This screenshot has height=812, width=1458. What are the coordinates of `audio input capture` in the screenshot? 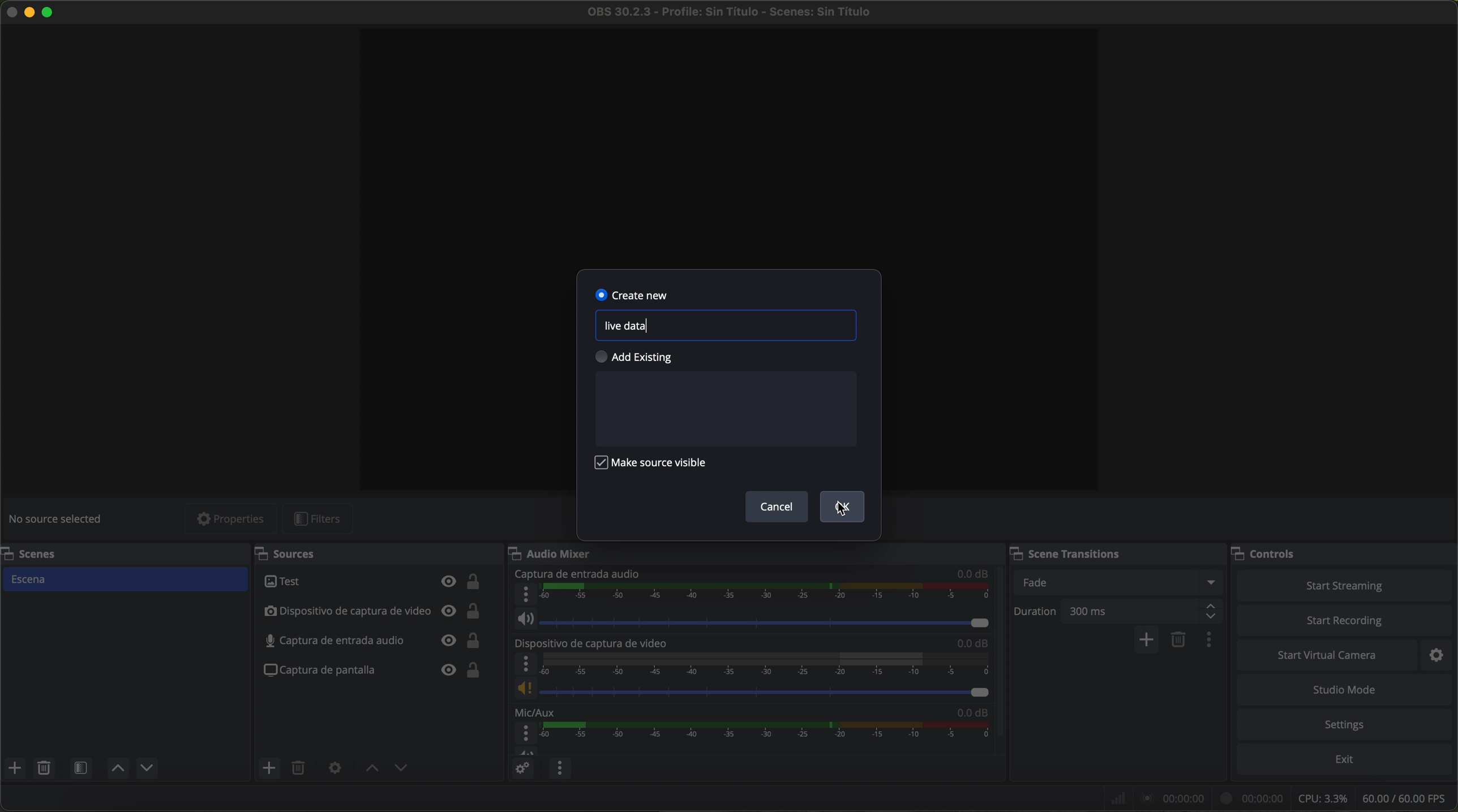 It's located at (375, 641).